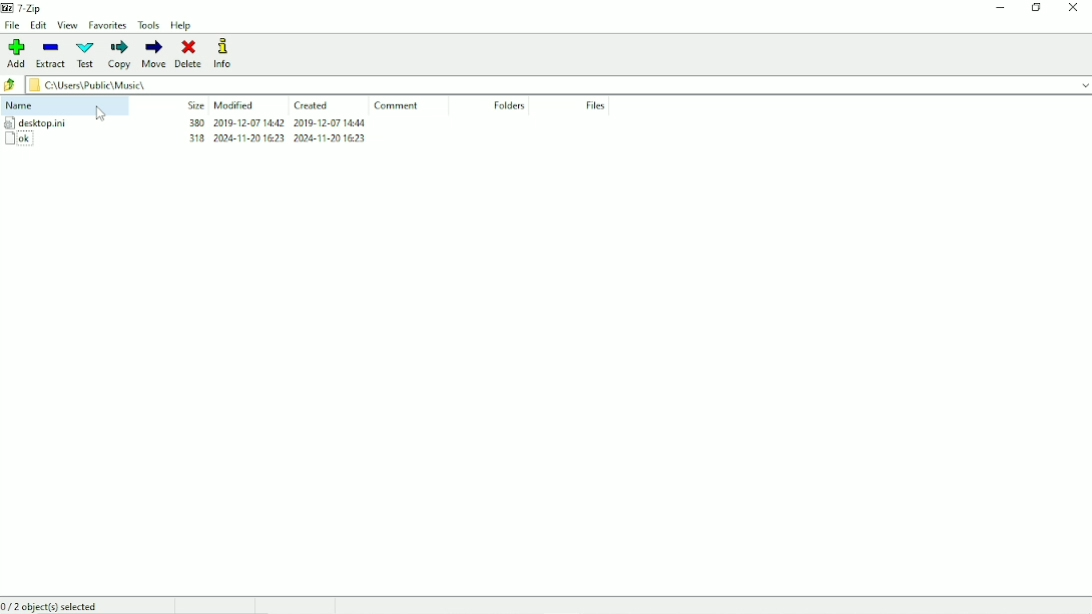 Image resolution: width=1092 pixels, height=614 pixels. What do you see at coordinates (1035, 8) in the screenshot?
I see `Restore down` at bounding box center [1035, 8].